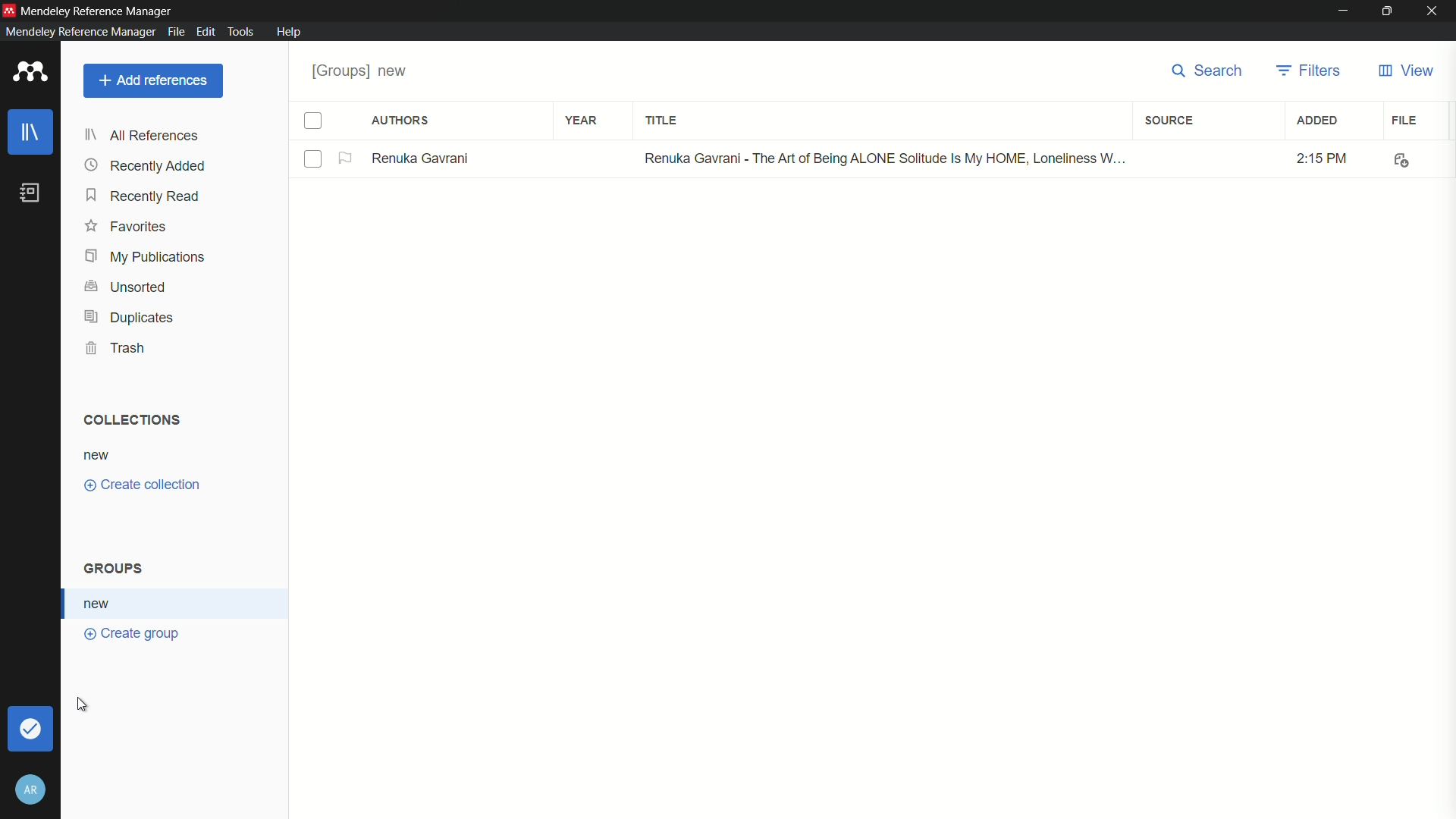 The height and width of the screenshot is (819, 1456). Describe the element at coordinates (82, 703) in the screenshot. I see `cursor` at that location.